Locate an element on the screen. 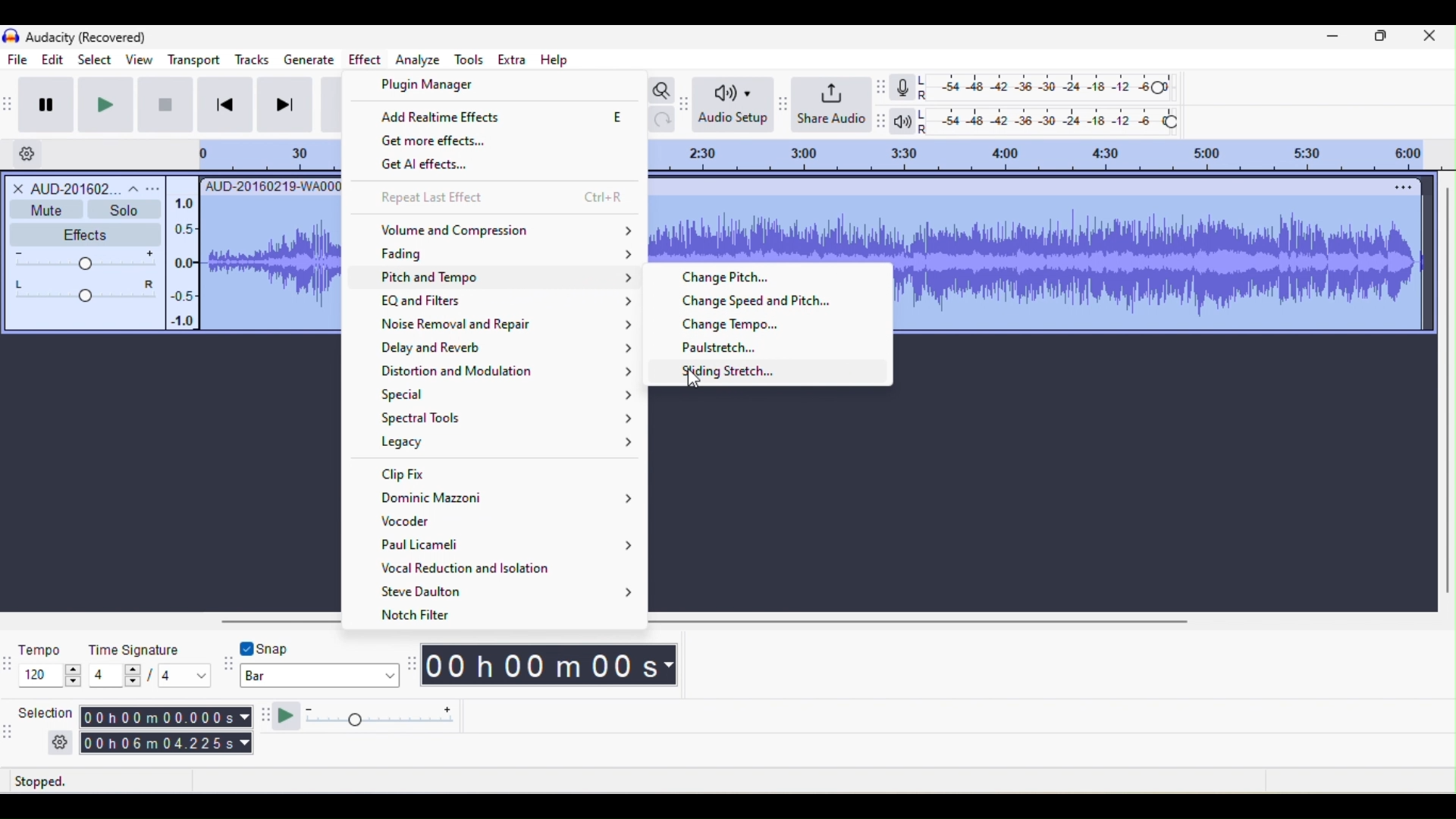 The image size is (1456, 819). selection is located at coordinates (43, 727).